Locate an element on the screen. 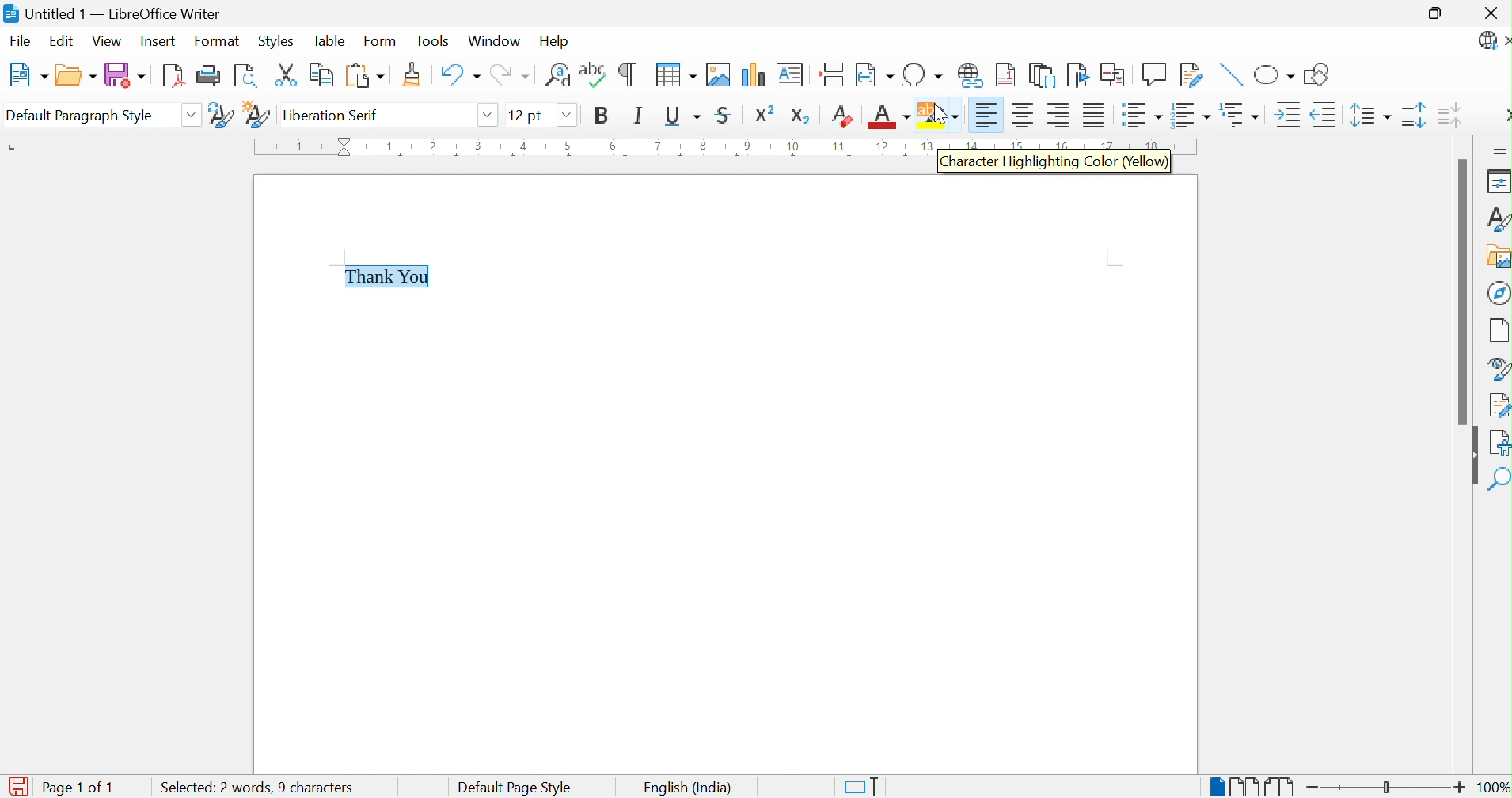 This screenshot has width=1512, height=798. Table is located at coordinates (332, 41).